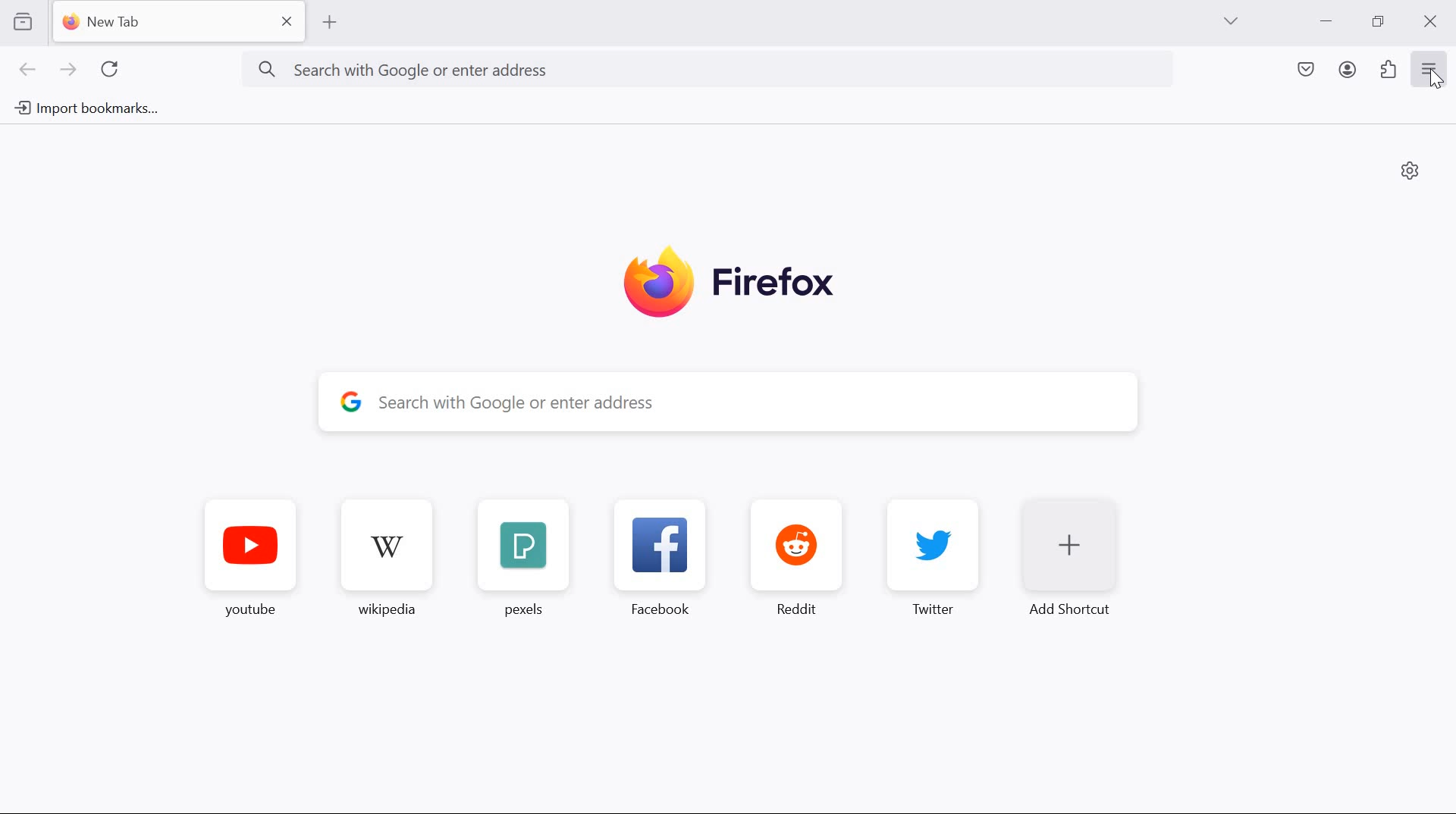  I want to click on extensions, so click(1389, 68).